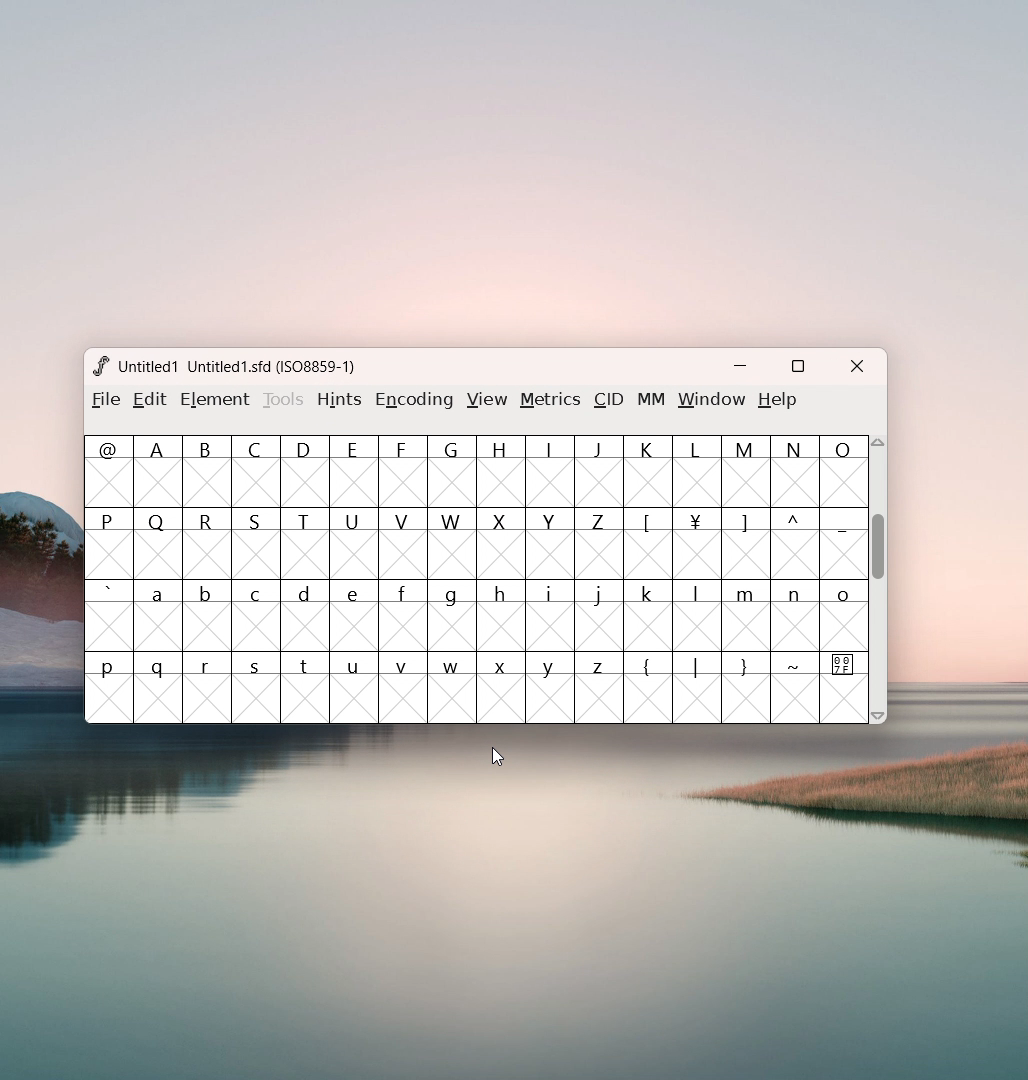  I want to click on edit, so click(150, 402).